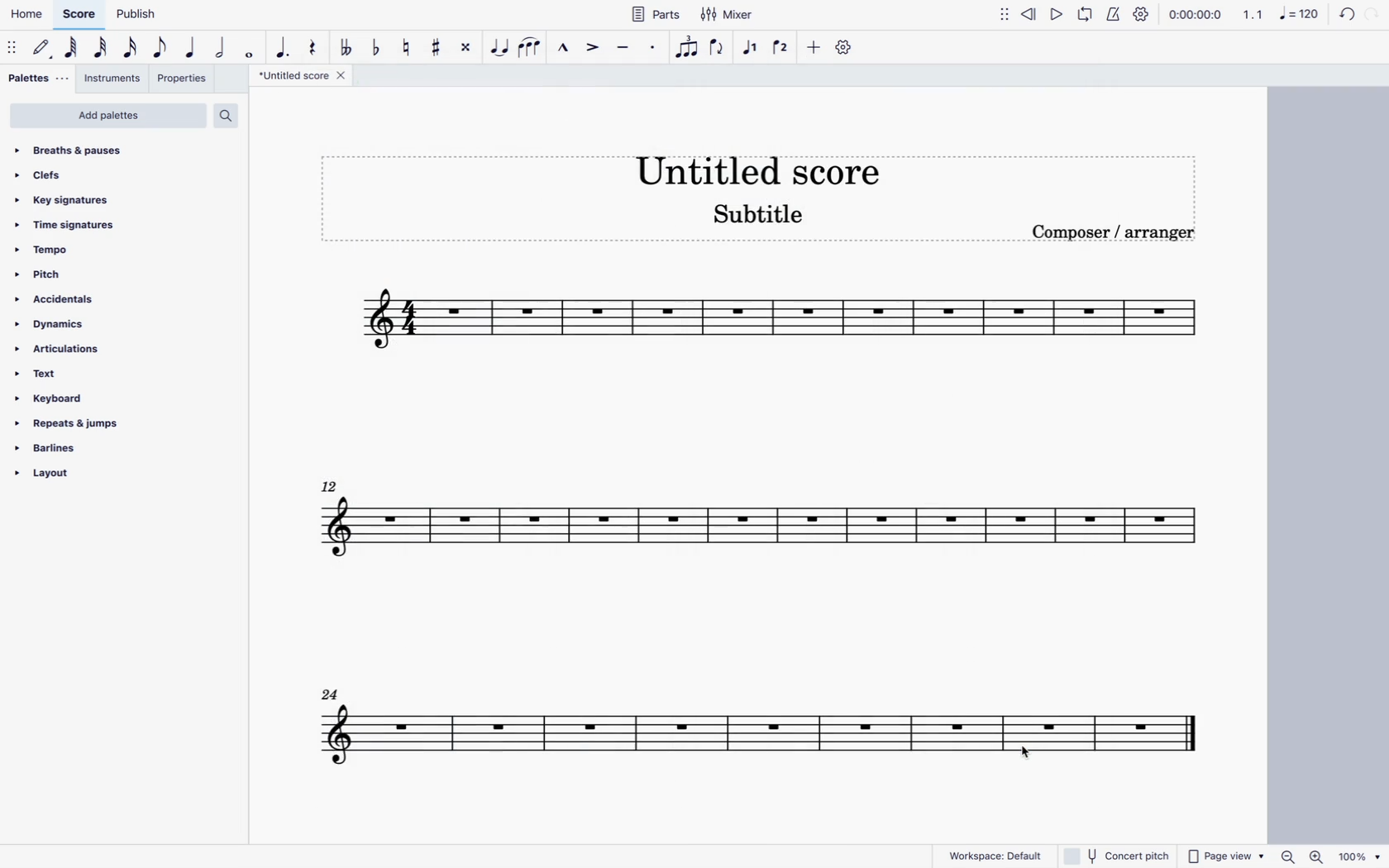  Describe the element at coordinates (59, 276) in the screenshot. I see `pitch` at that location.